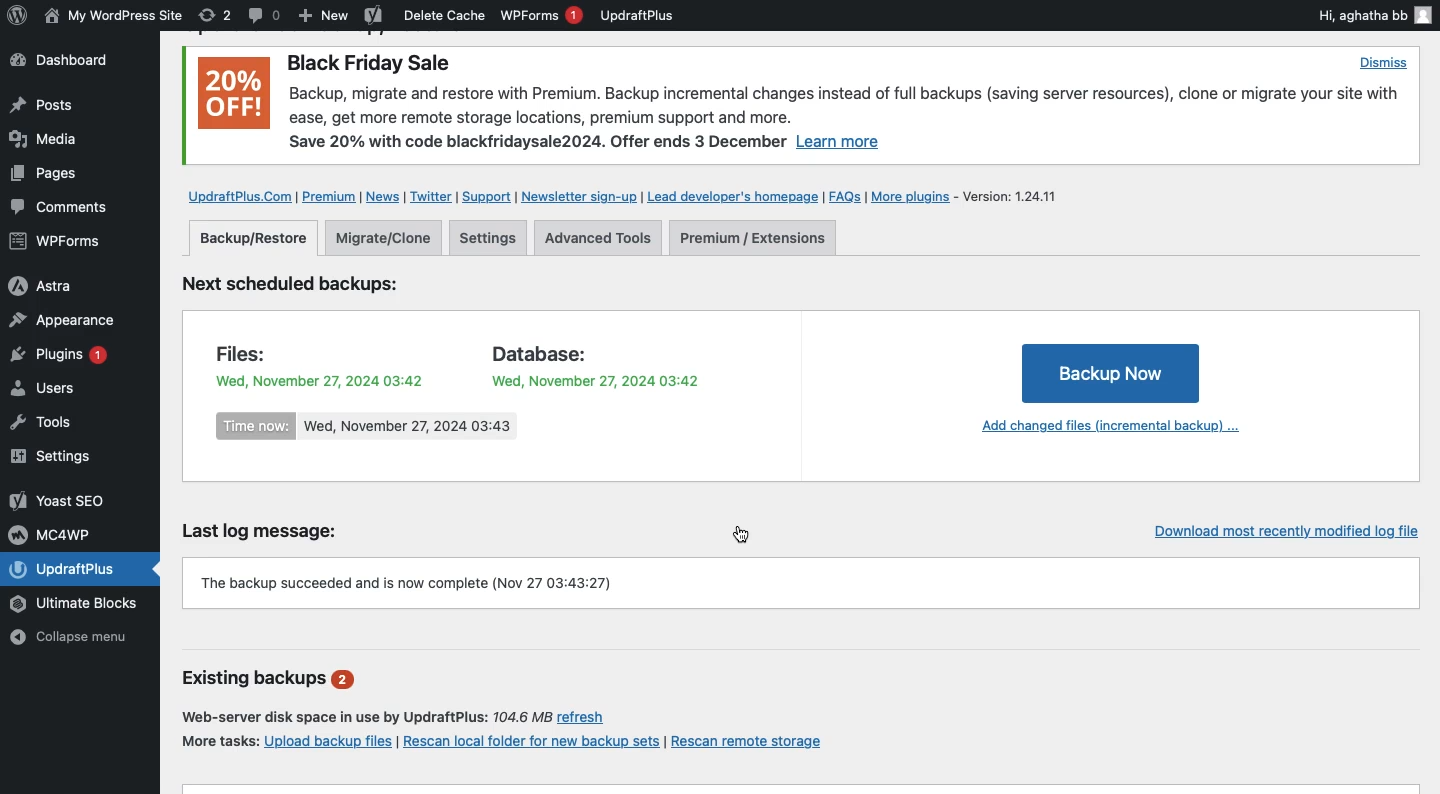 The height and width of the screenshot is (794, 1440). What do you see at coordinates (754, 239) in the screenshot?
I see `Premium extensions` at bounding box center [754, 239].